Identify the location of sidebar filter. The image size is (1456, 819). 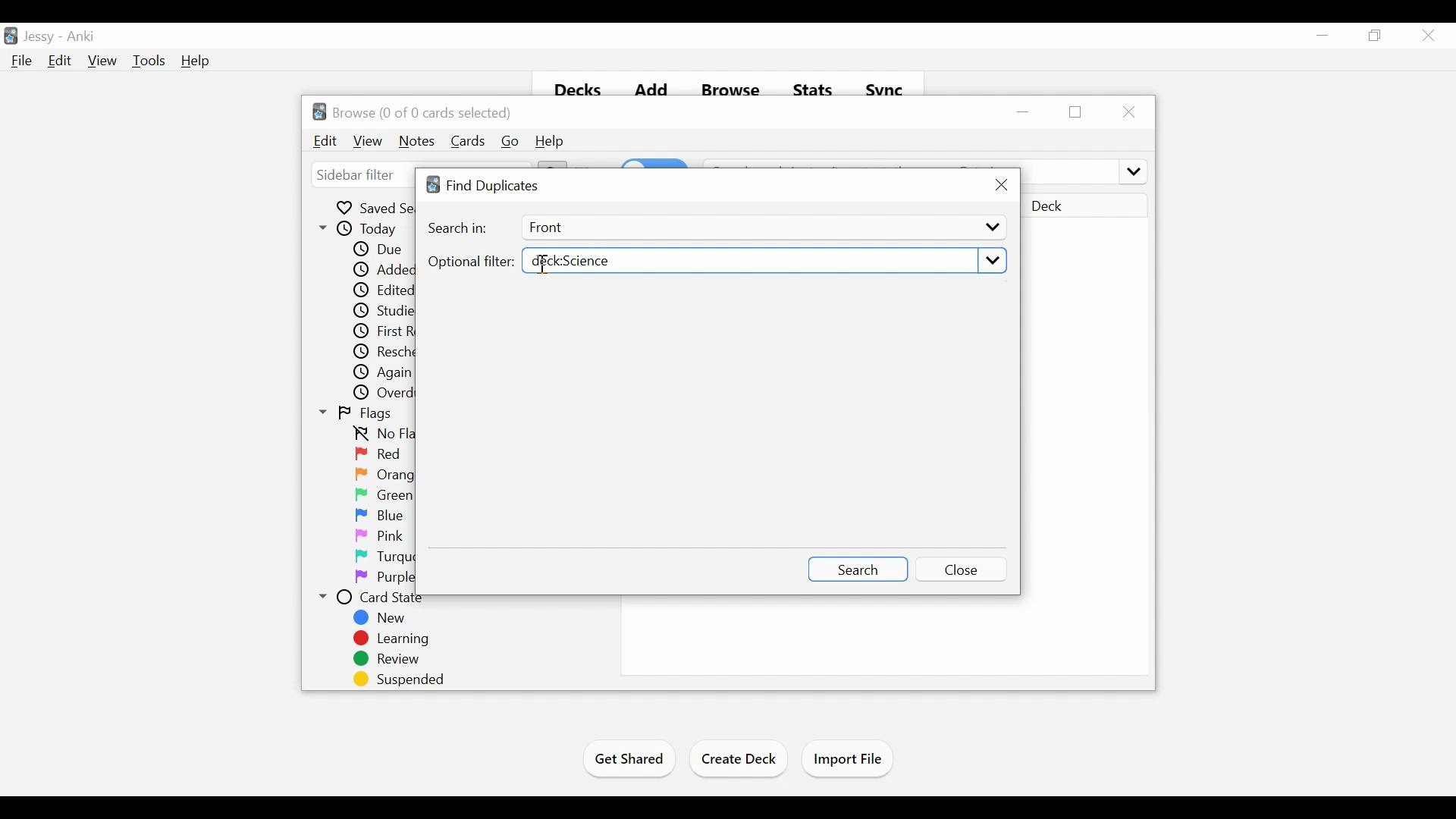
(357, 176).